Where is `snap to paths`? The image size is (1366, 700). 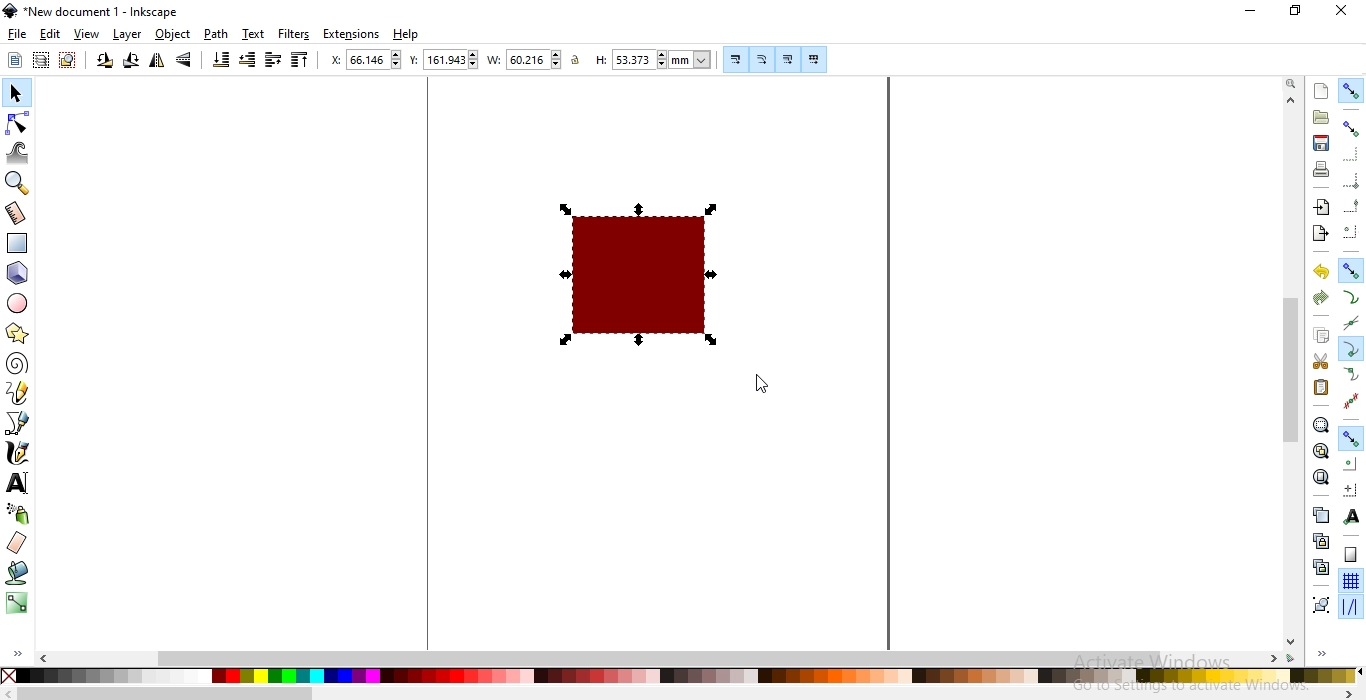
snap to paths is located at coordinates (1352, 297).